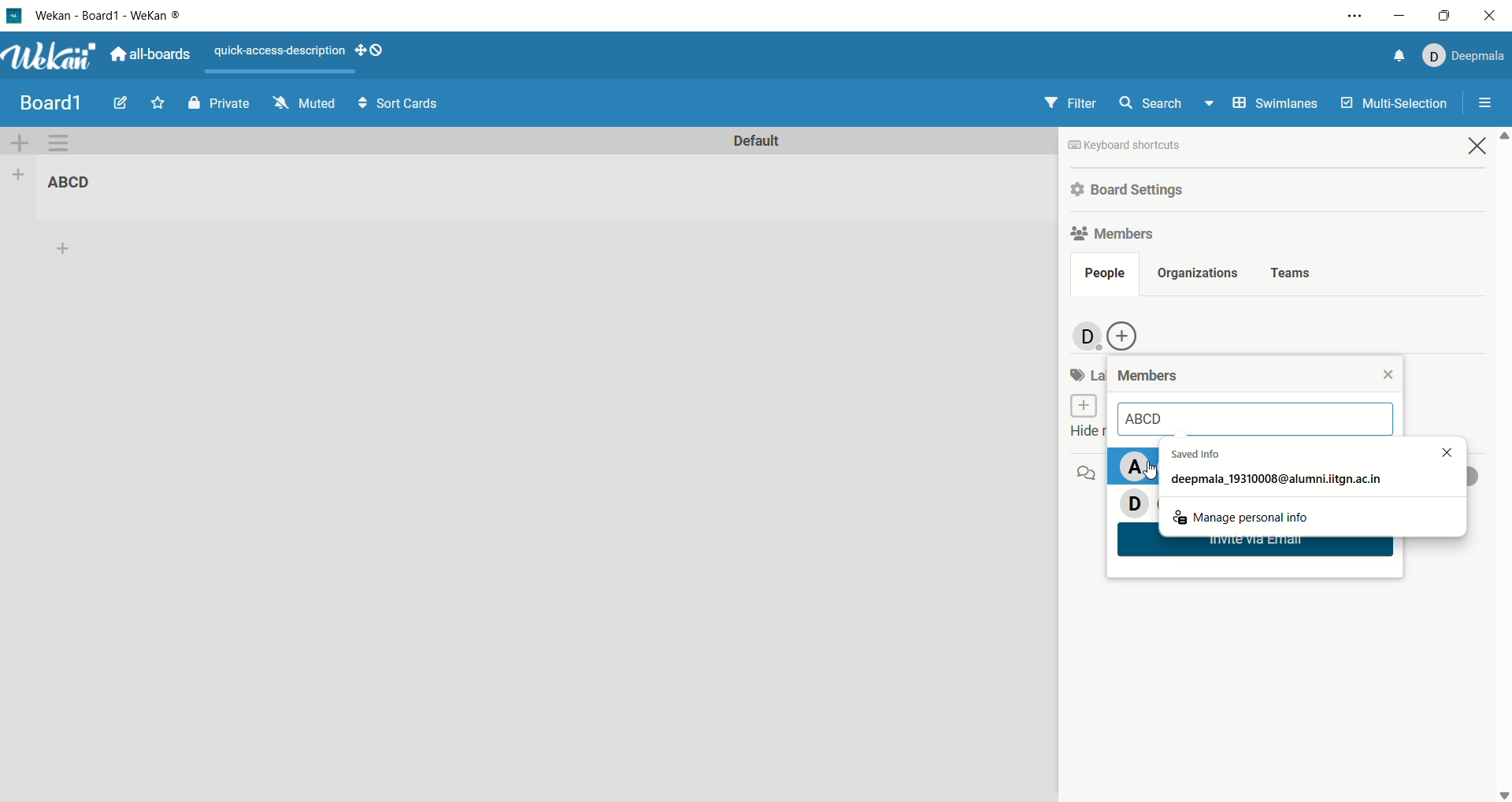  I want to click on organization, so click(1195, 274).